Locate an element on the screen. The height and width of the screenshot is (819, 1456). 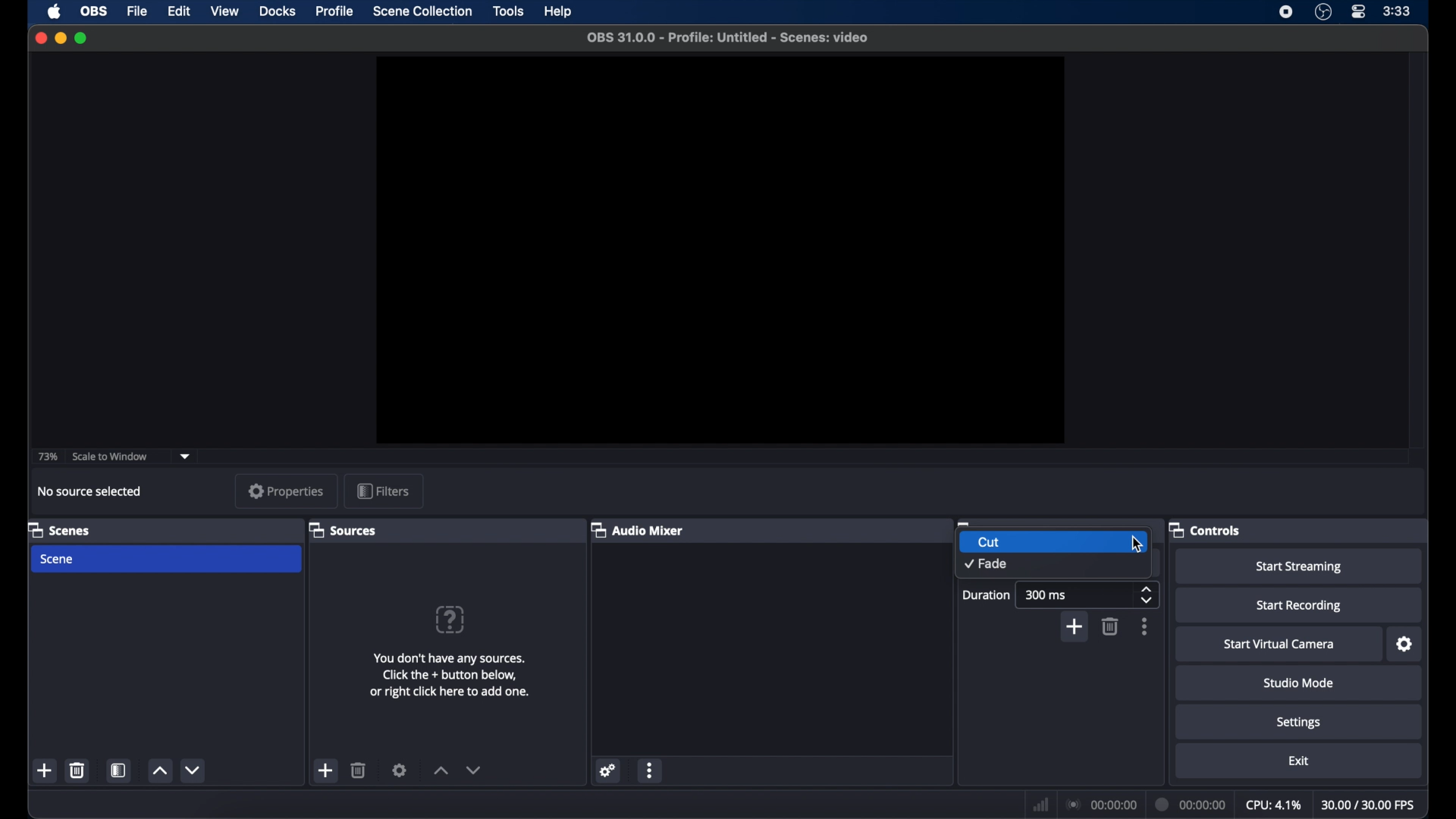
stepper buttons is located at coordinates (1147, 595).